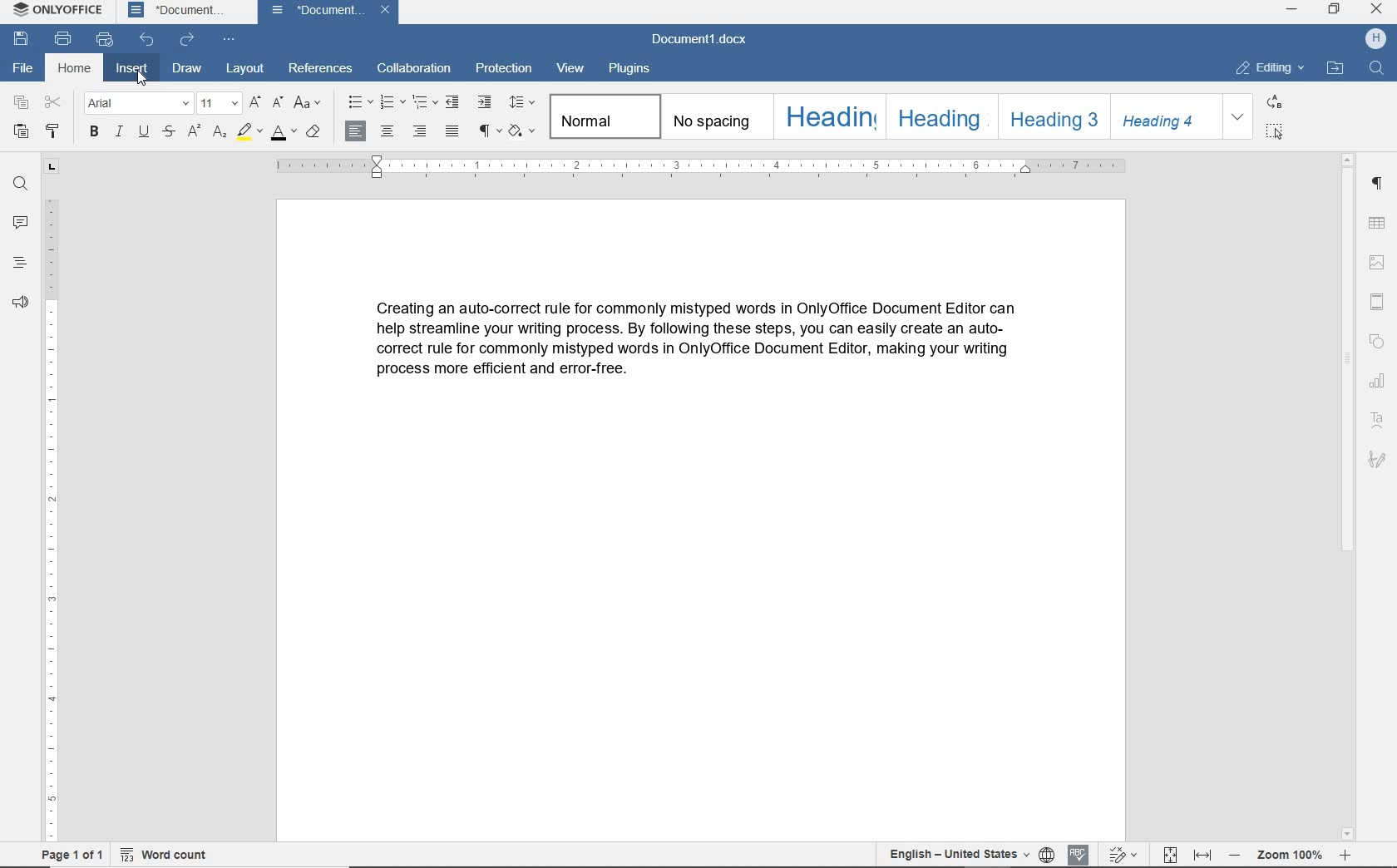 This screenshot has width=1397, height=868. Describe the element at coordinates (503, 69) in the screenshot. I see `protection` at that location.